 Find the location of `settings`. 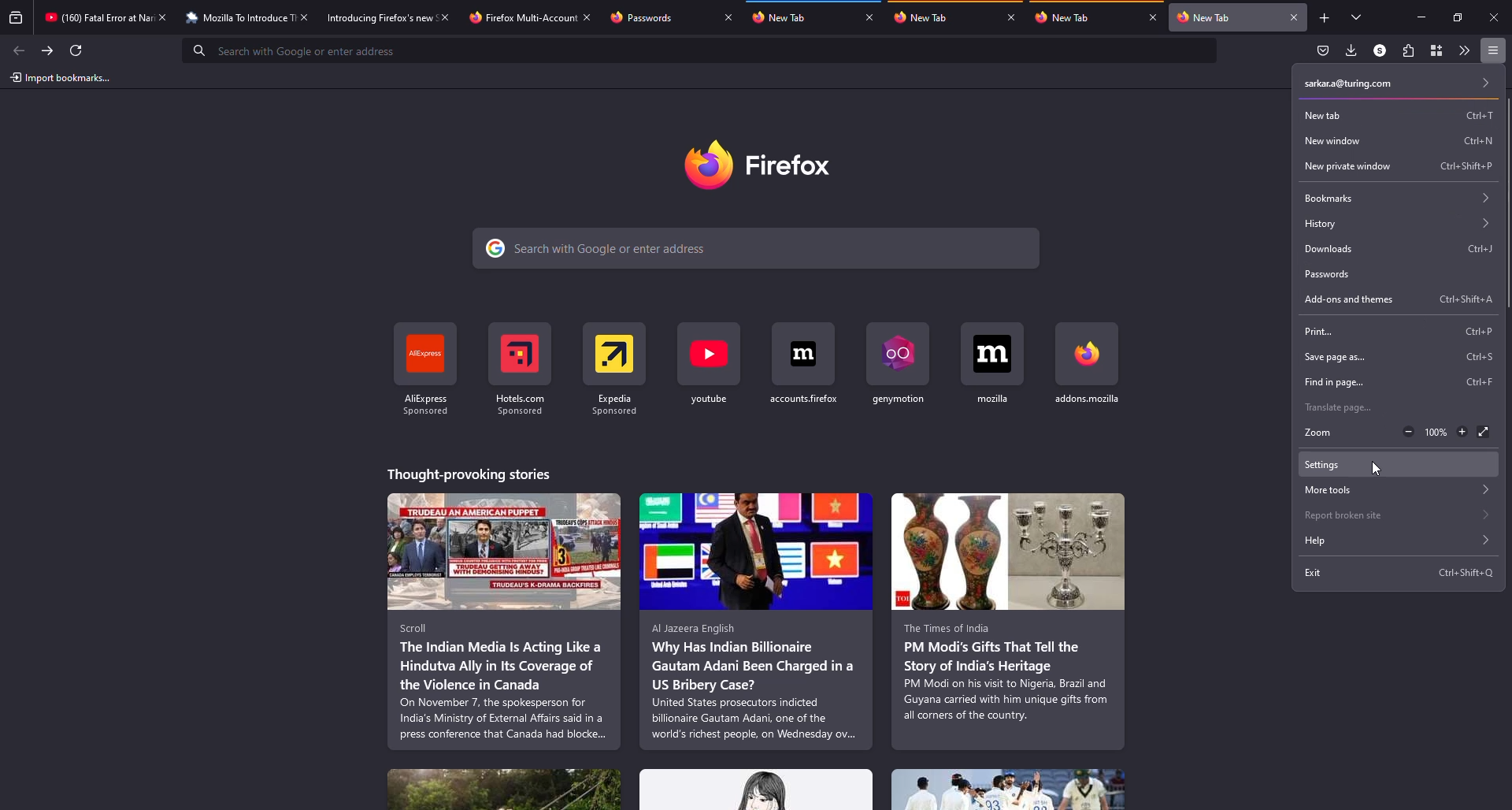

settings is located at coordinates (1329, 465).